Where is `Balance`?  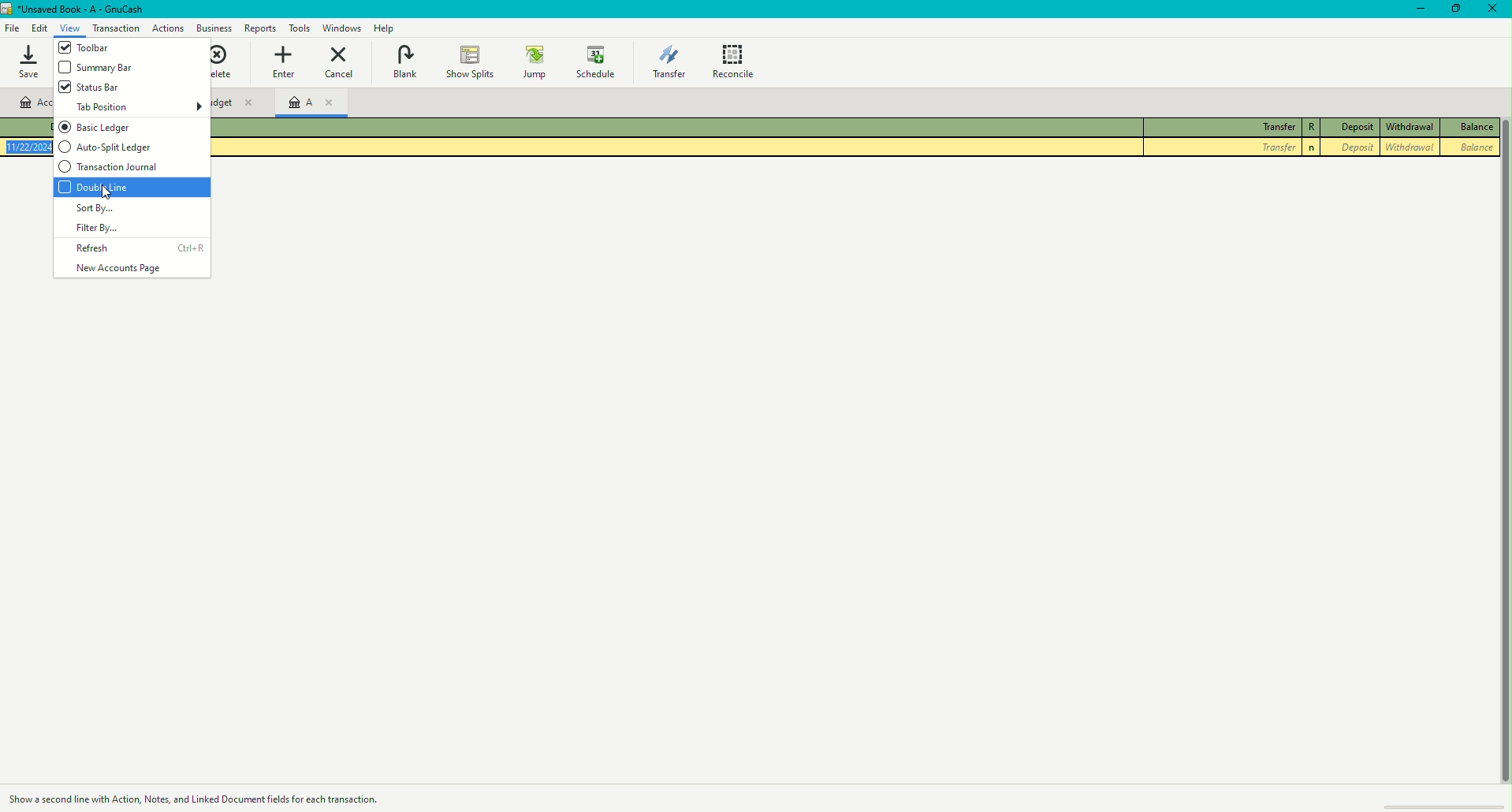
Balance is located at coordinates (1473, 148).